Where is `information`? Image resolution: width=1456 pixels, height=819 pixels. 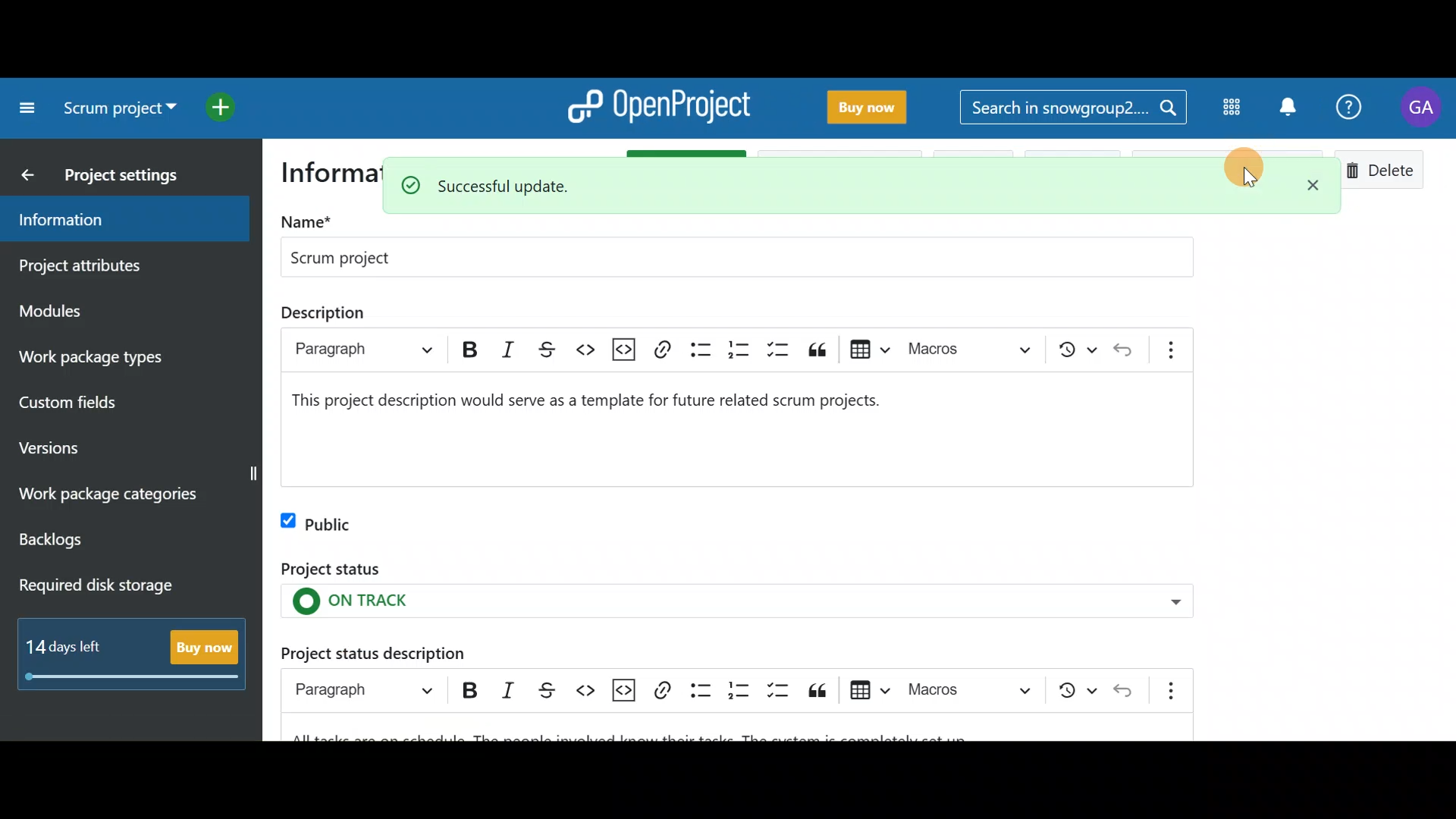
information is located at coordinates (328, 171).